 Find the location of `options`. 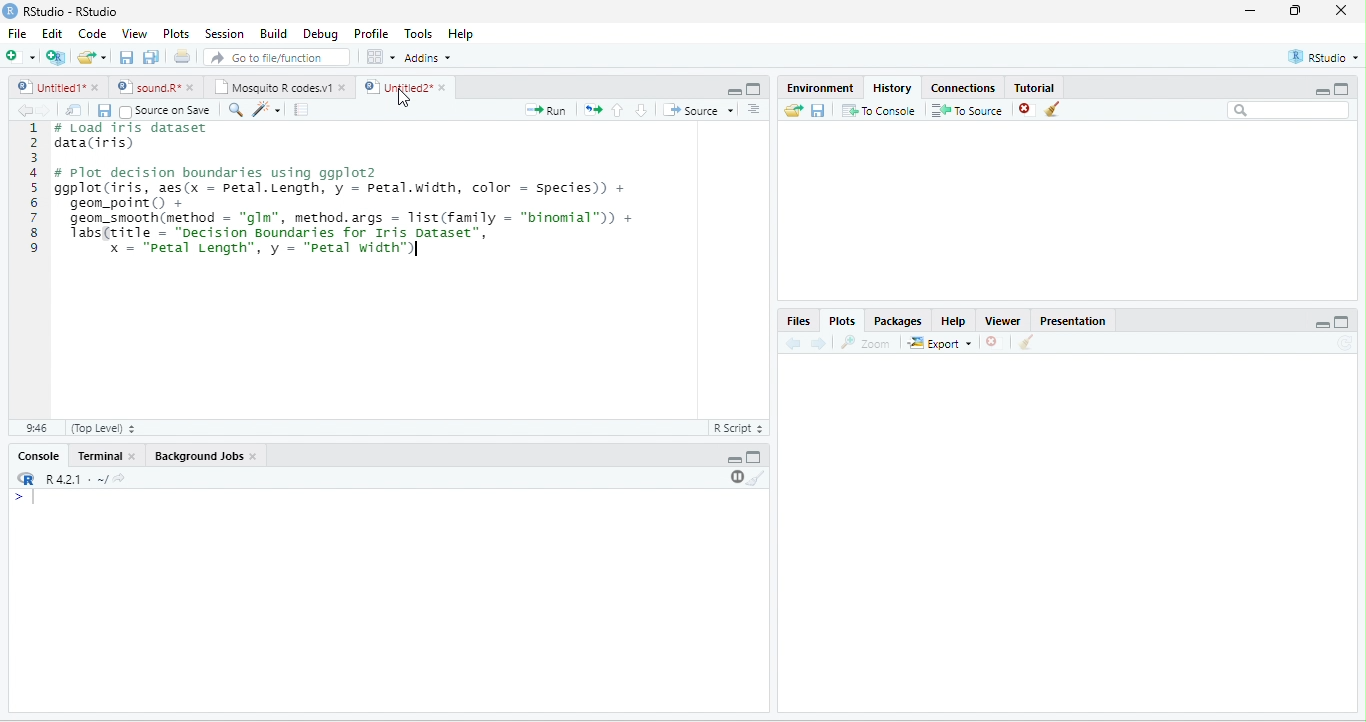

options is located at coordinates (381, 57).